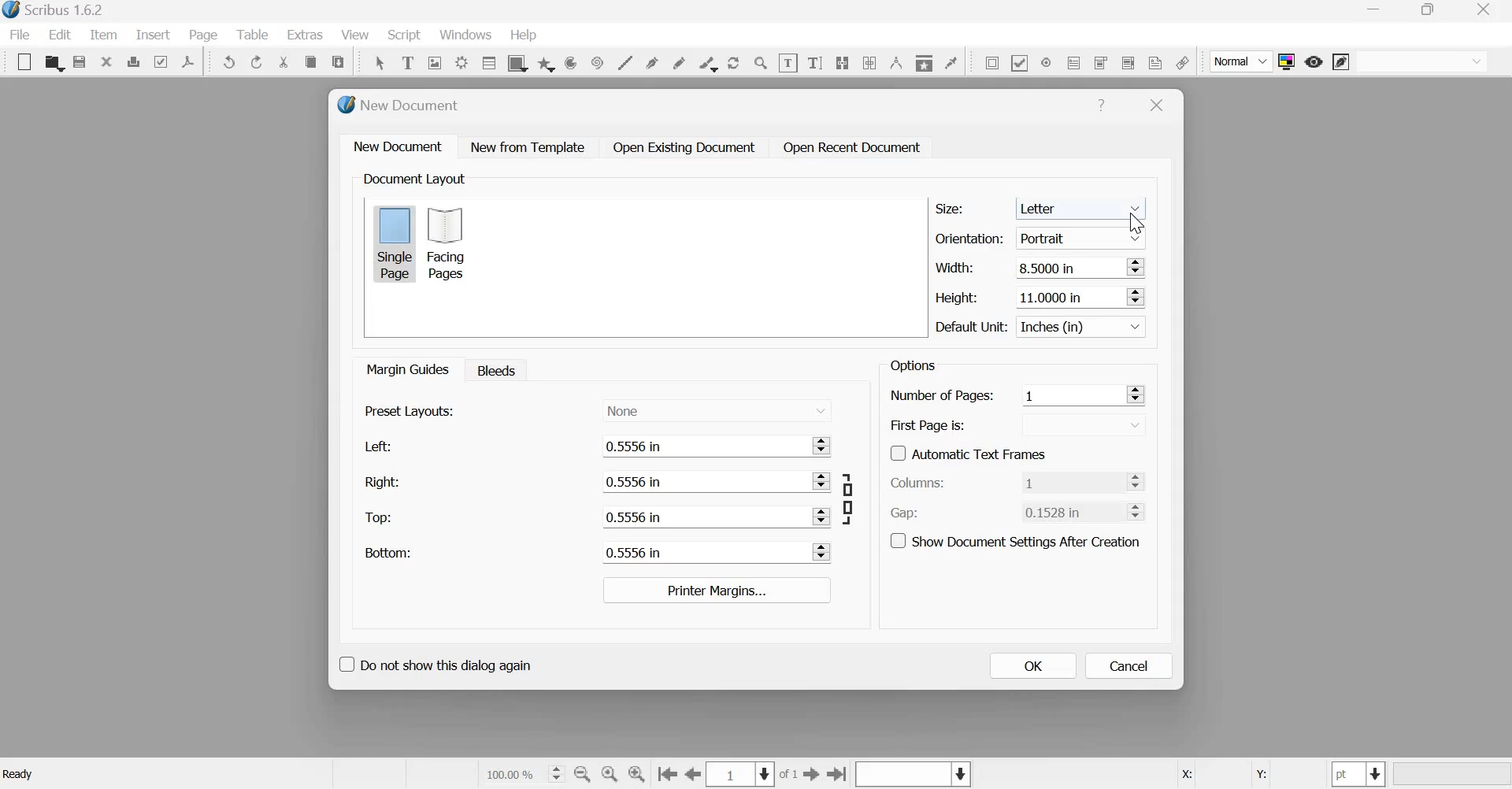  Describe the element at coordinates (80, 62) in the screenshot. I see `save` at that location.